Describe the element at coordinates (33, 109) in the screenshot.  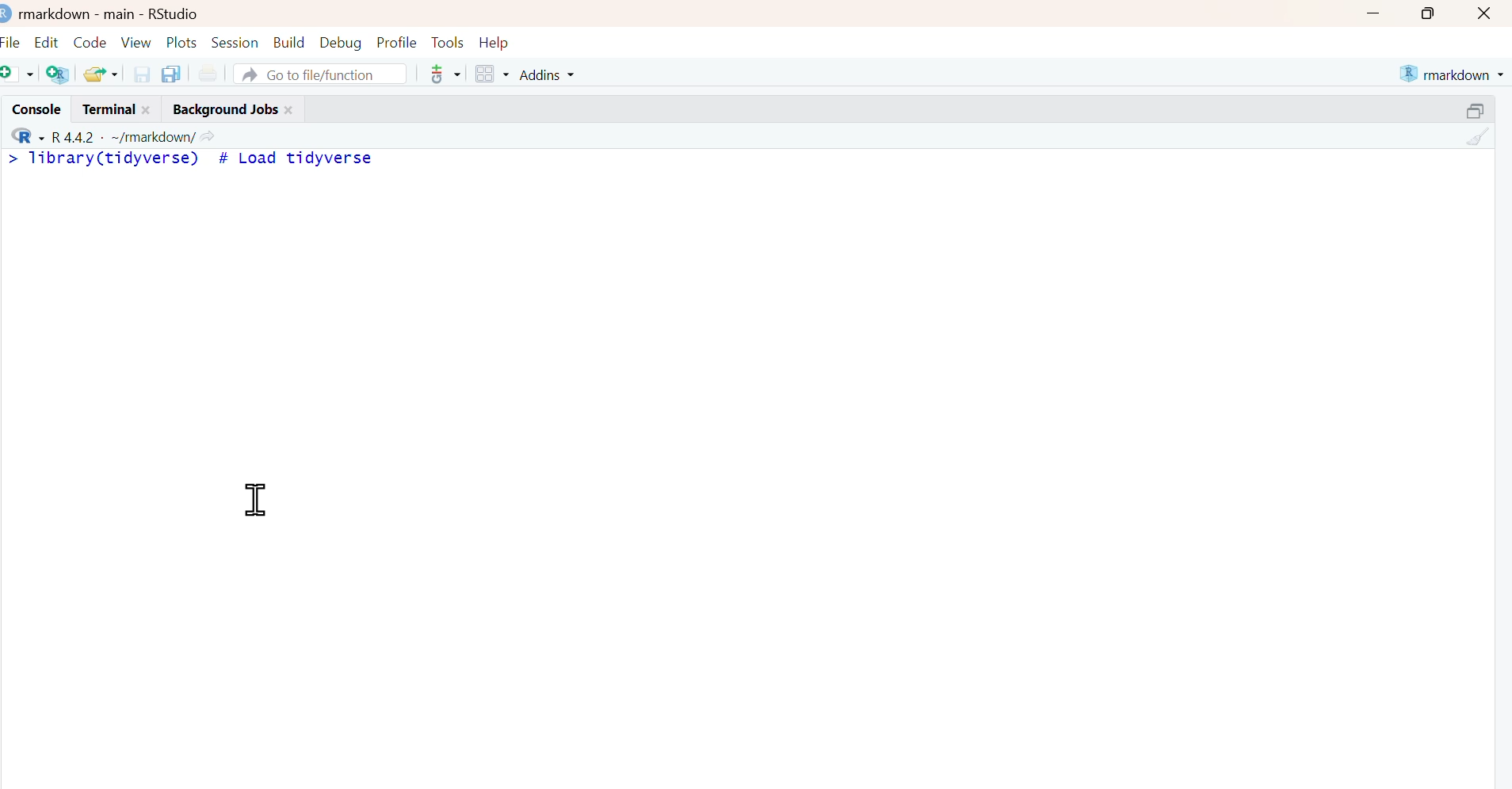
I see `Console` at that location.